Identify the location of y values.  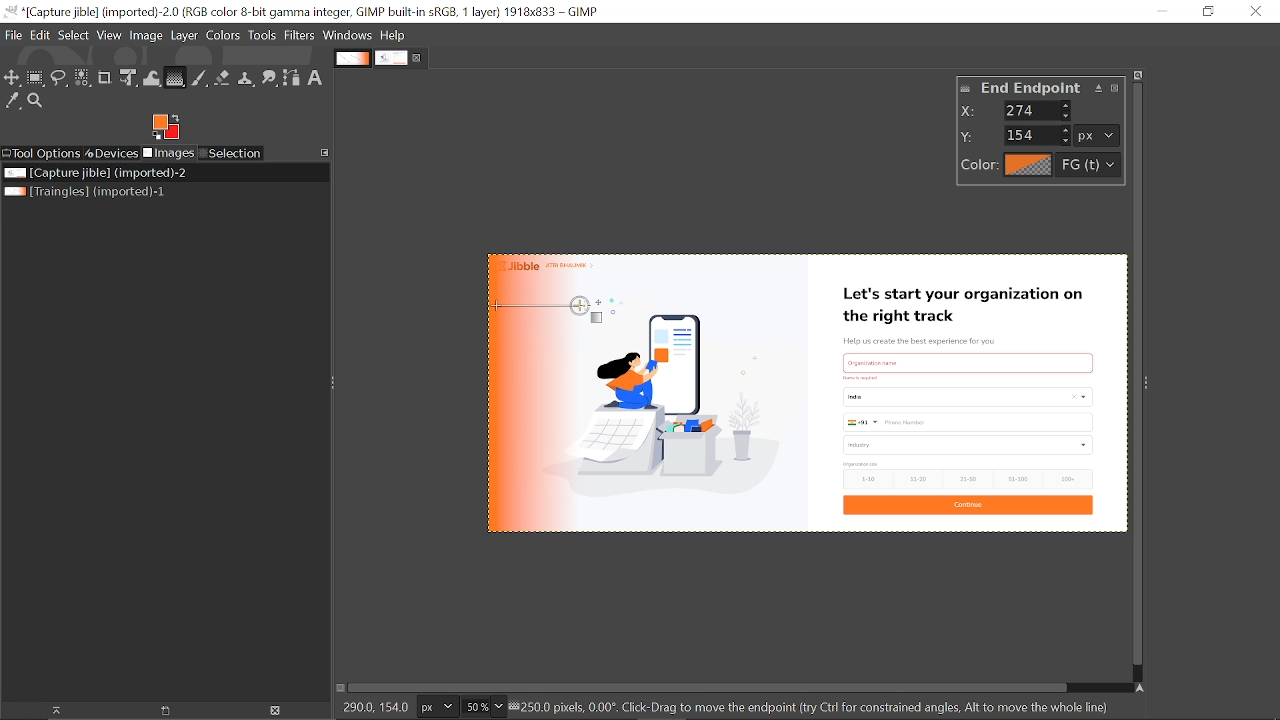
(1039, 135).